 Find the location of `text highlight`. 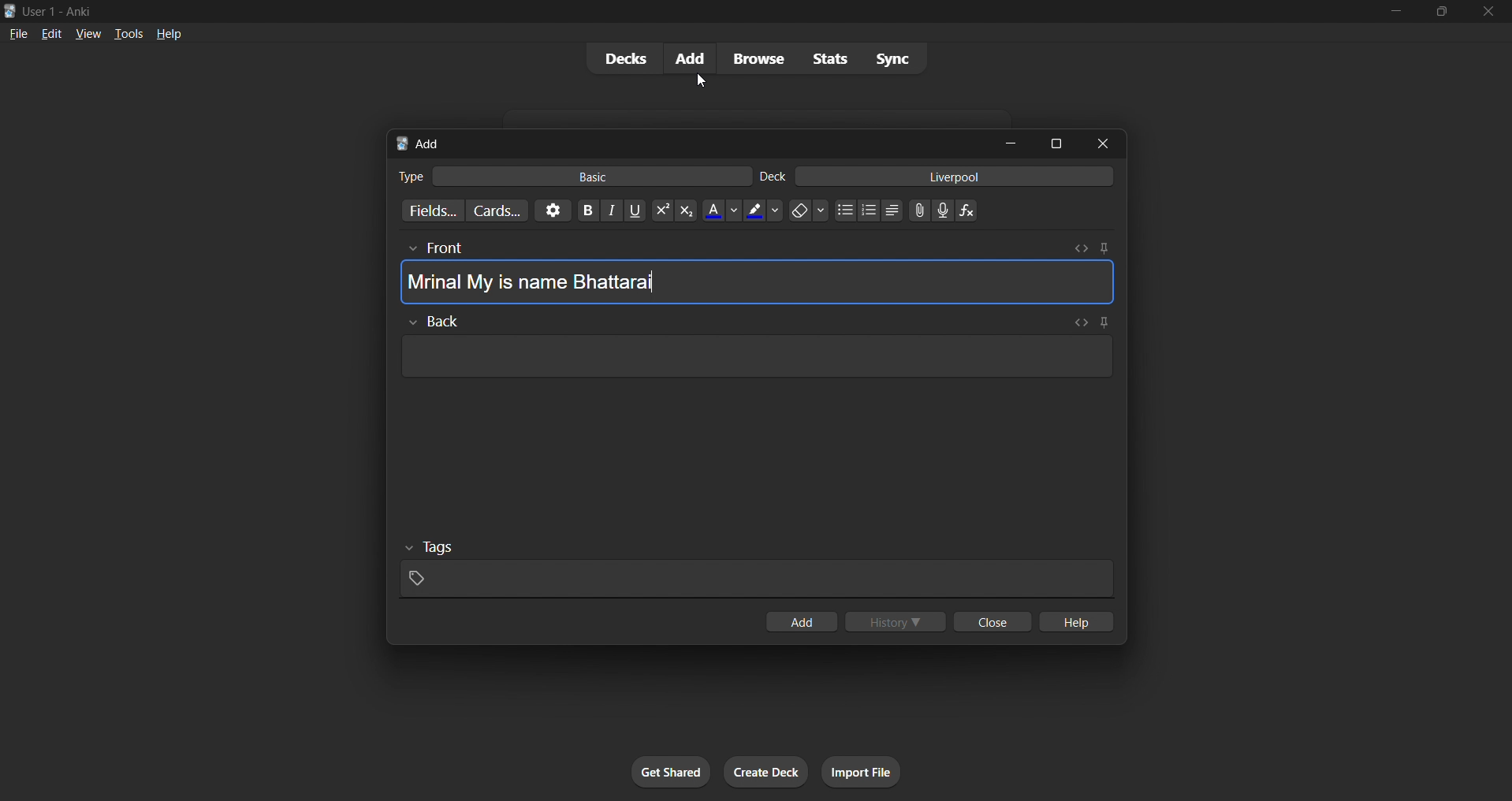

text highlight is located at coordinates (762, 211).